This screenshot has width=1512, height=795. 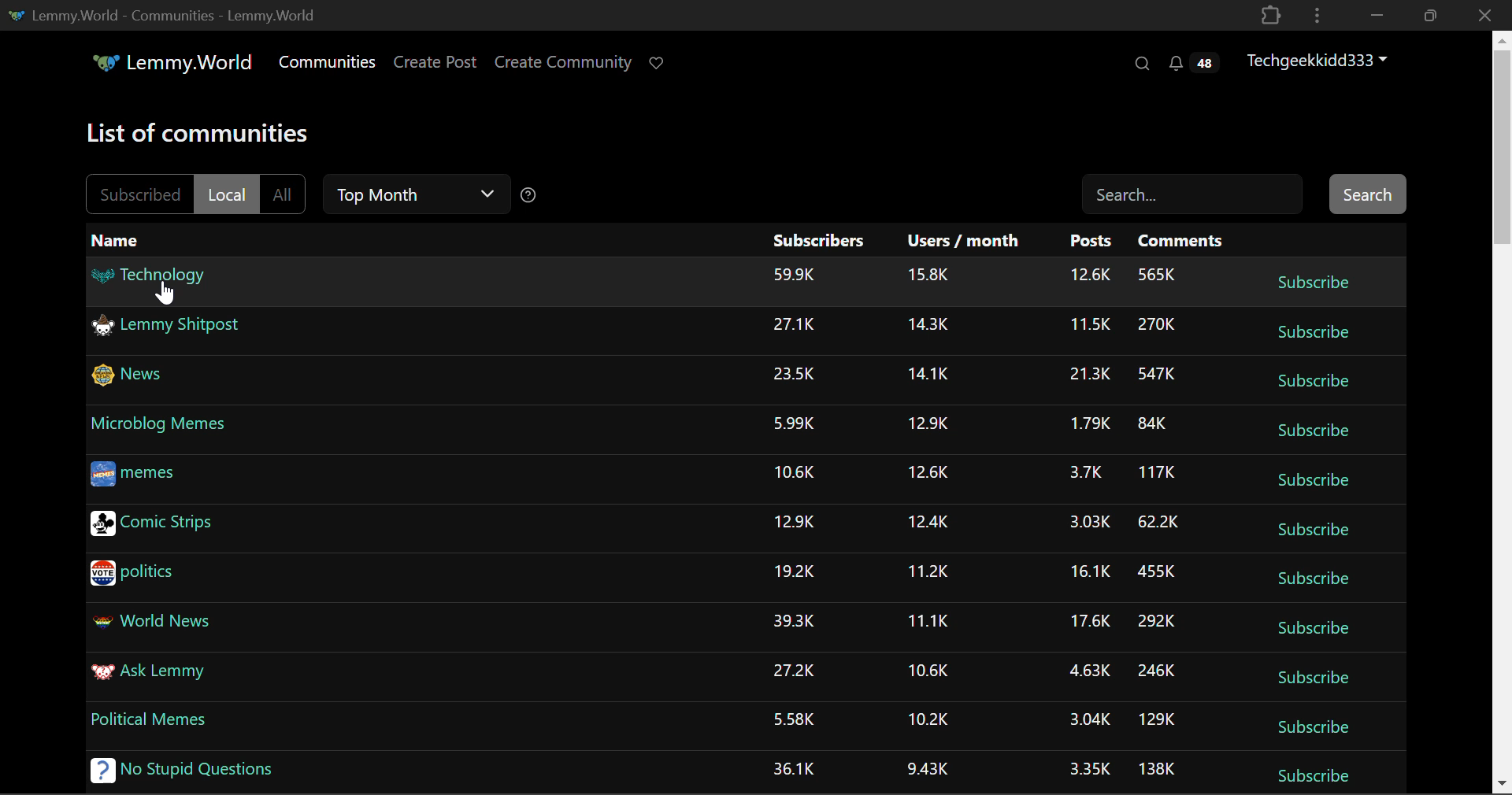 I want to click on Amount , so click(x=794, y=375).